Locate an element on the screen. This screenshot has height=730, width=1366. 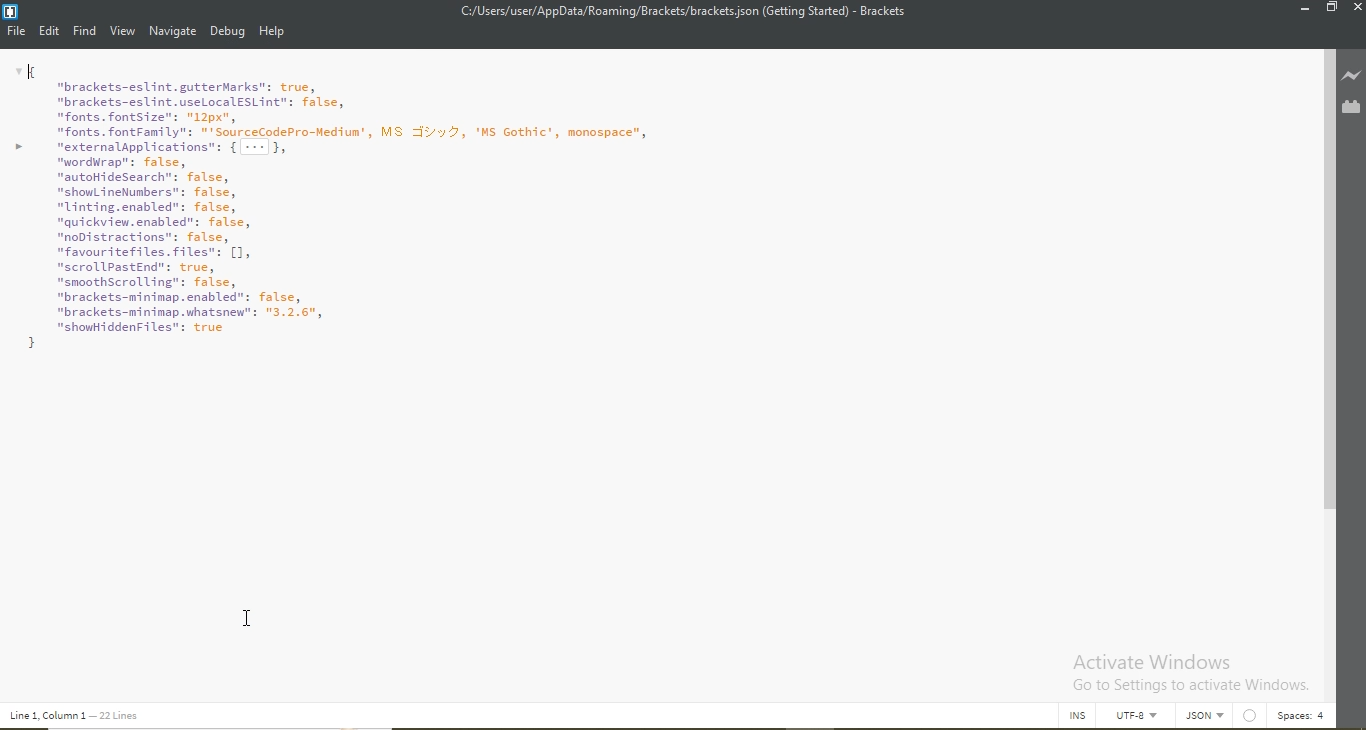
scroll bar is located at coordinates (1330, 325).